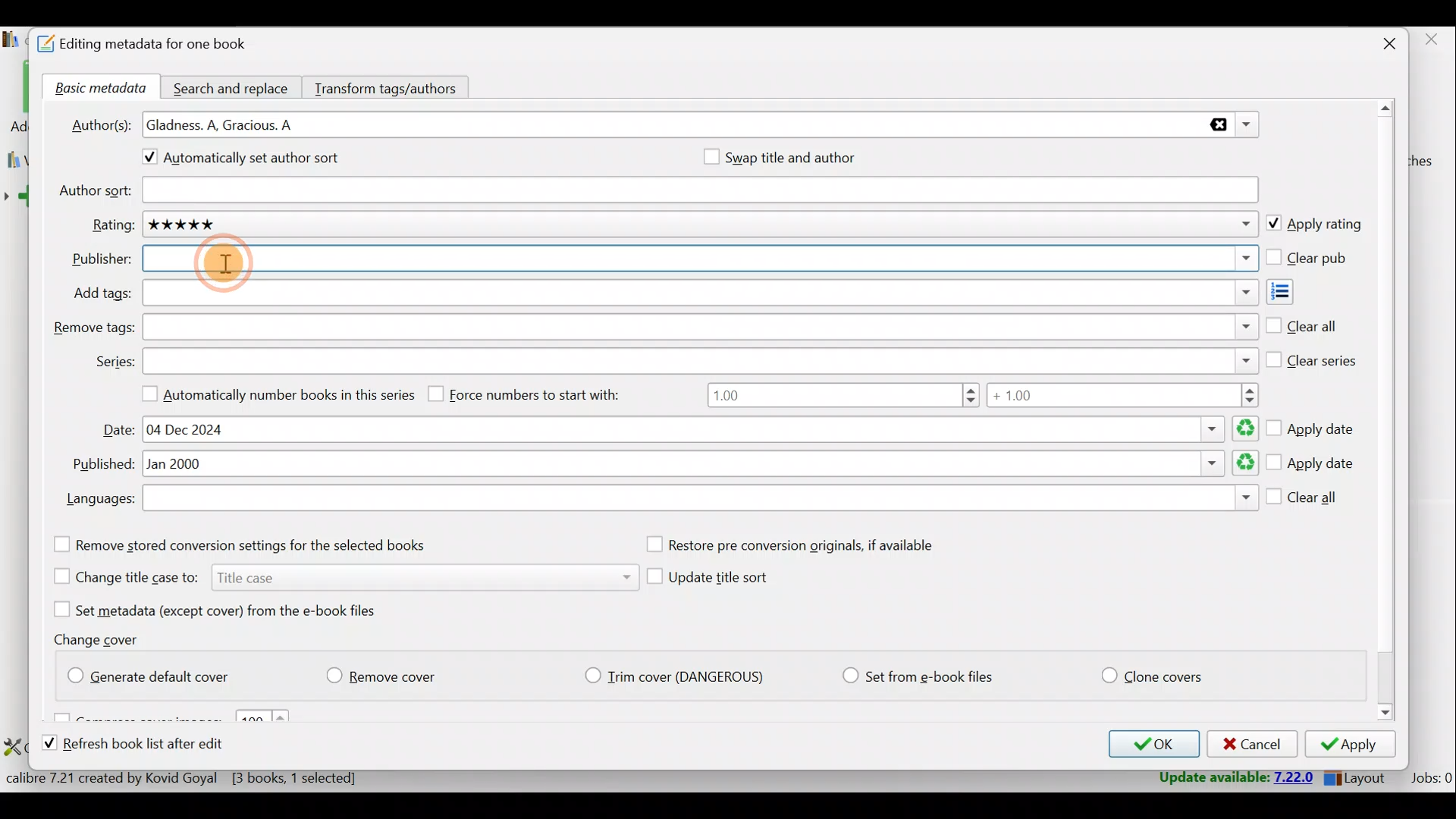  Describe the element at coordinates (1313, 225) in the screenshot. I see `Apply rating` at that location.